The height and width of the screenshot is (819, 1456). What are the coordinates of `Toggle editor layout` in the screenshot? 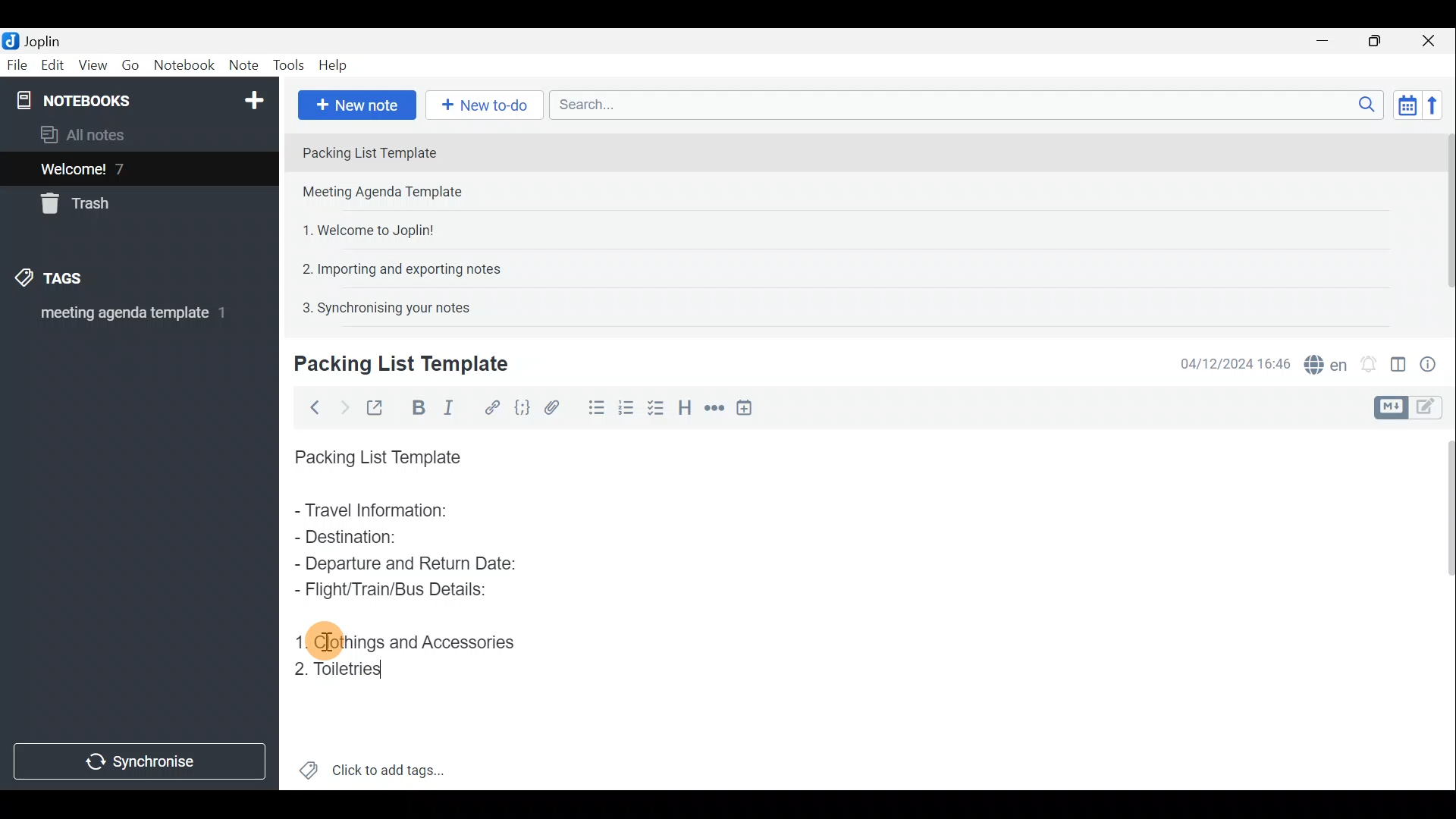 It's located at (1398, 359).